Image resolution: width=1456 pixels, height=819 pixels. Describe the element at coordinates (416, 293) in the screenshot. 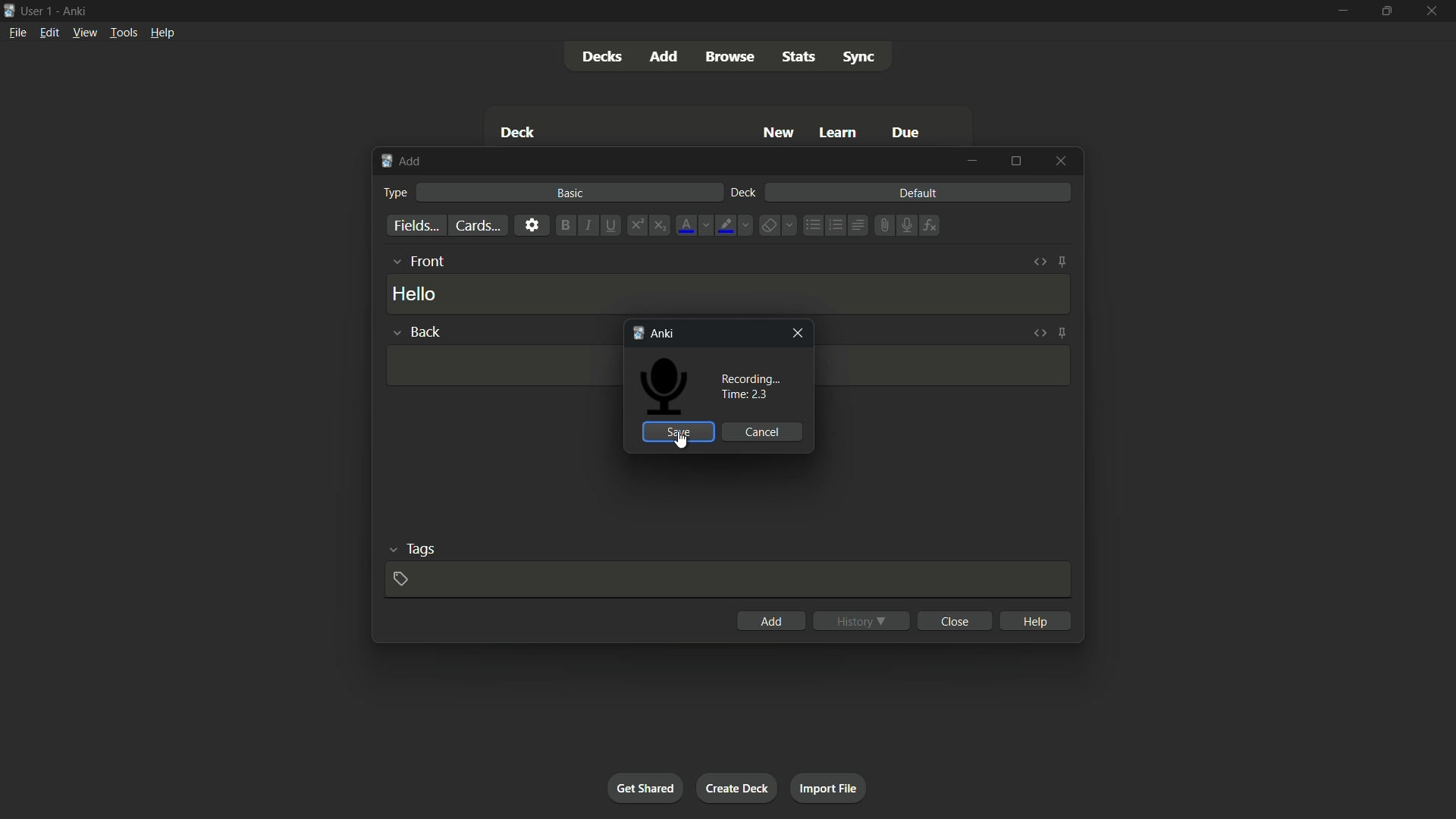

I see `hello` at that location.